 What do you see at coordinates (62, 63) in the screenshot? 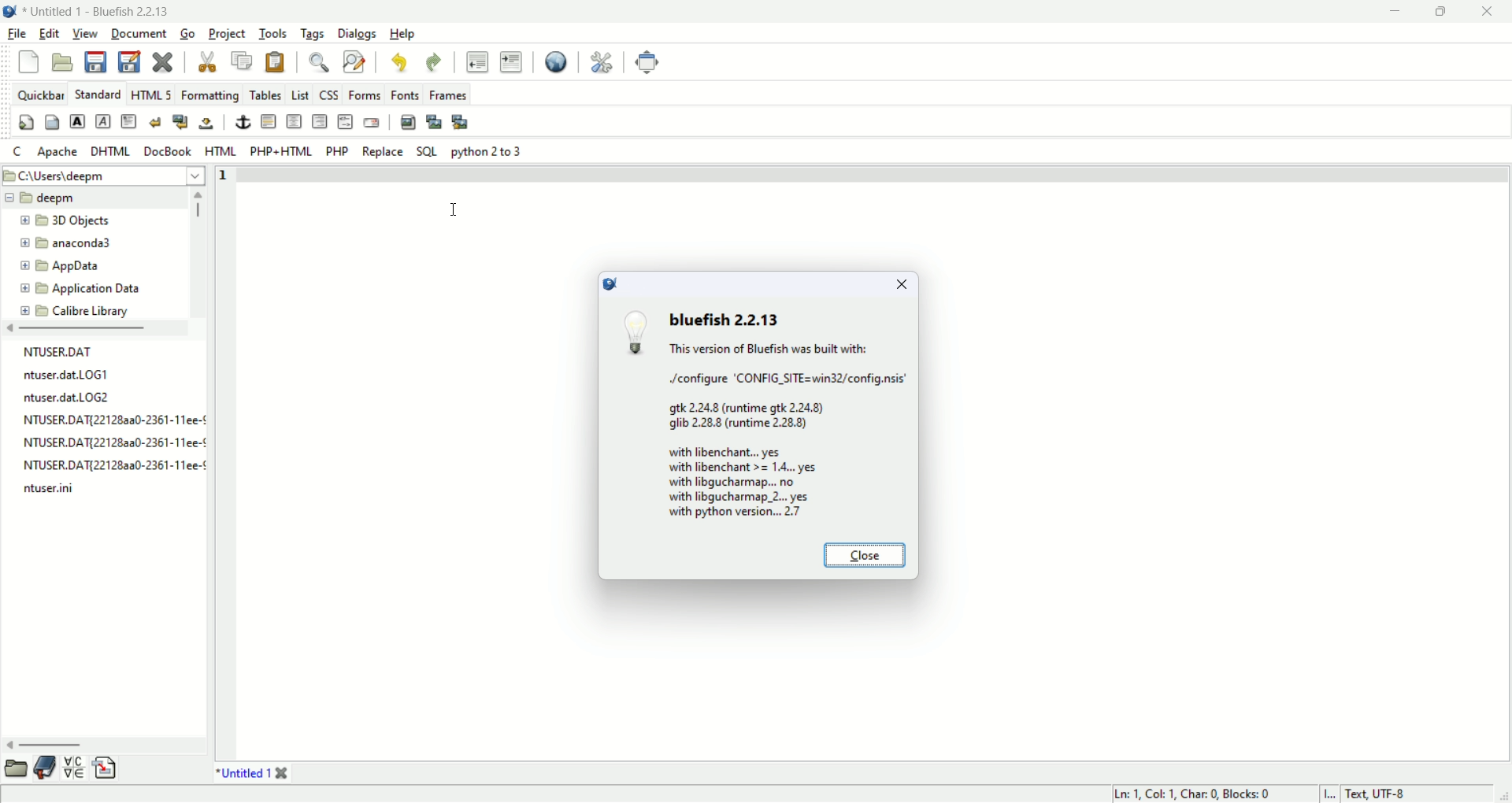
I see `open file` at bounding box center [62, 63].